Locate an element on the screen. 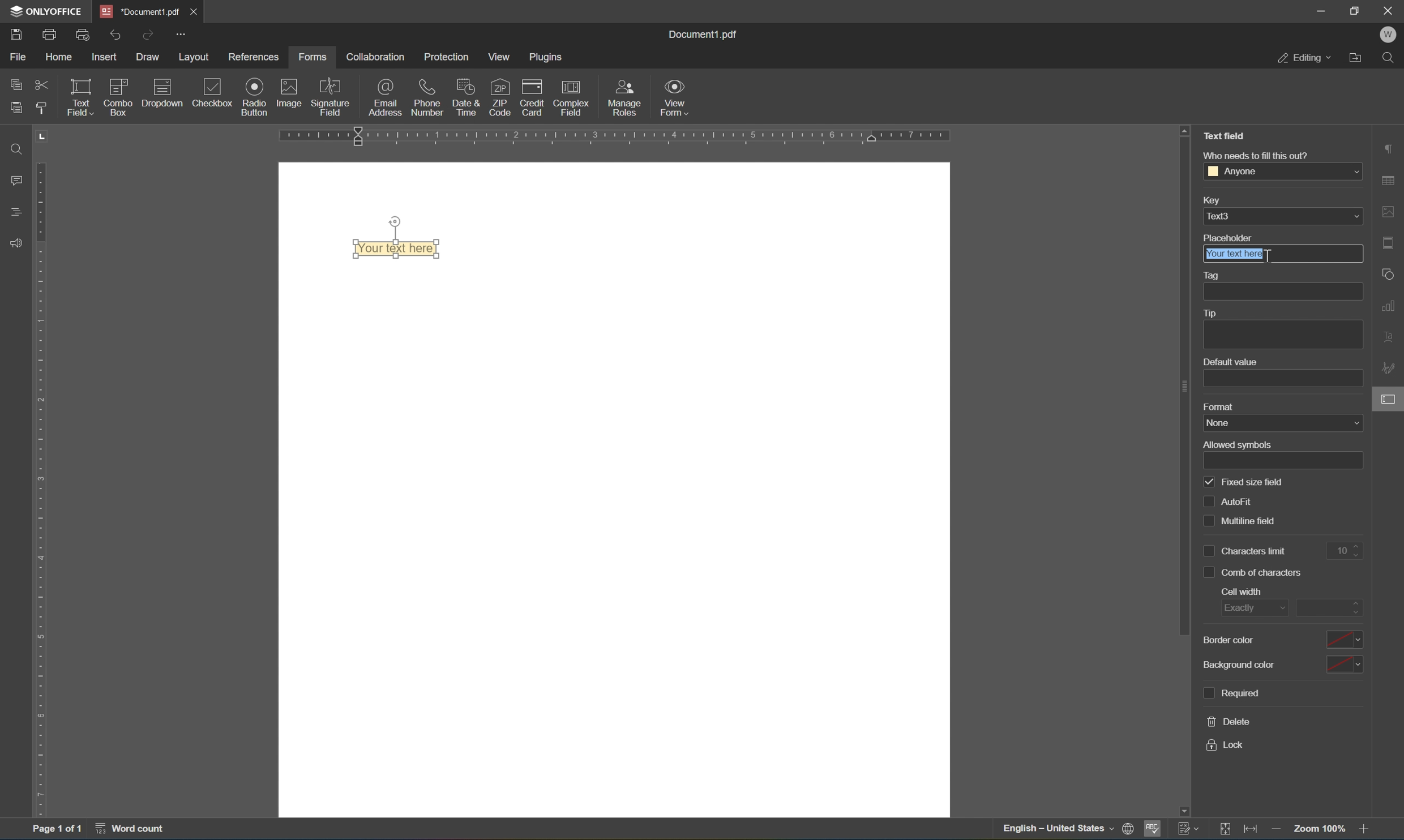 This screenshot has height=840, width=1404. plugins is located at coordinates (546, 57).